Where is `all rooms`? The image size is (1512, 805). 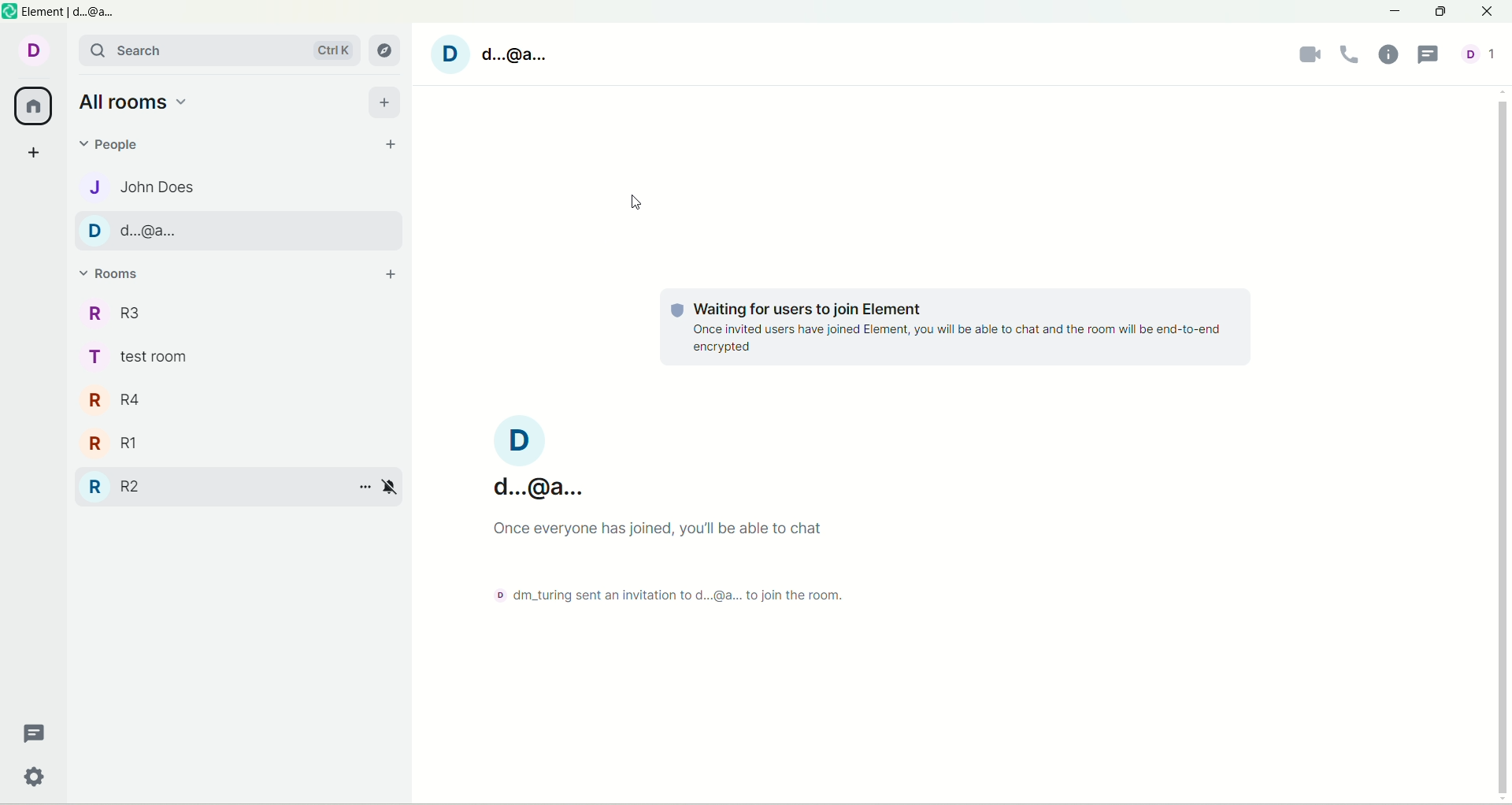
all rooms is located at coordinates (134, 102).